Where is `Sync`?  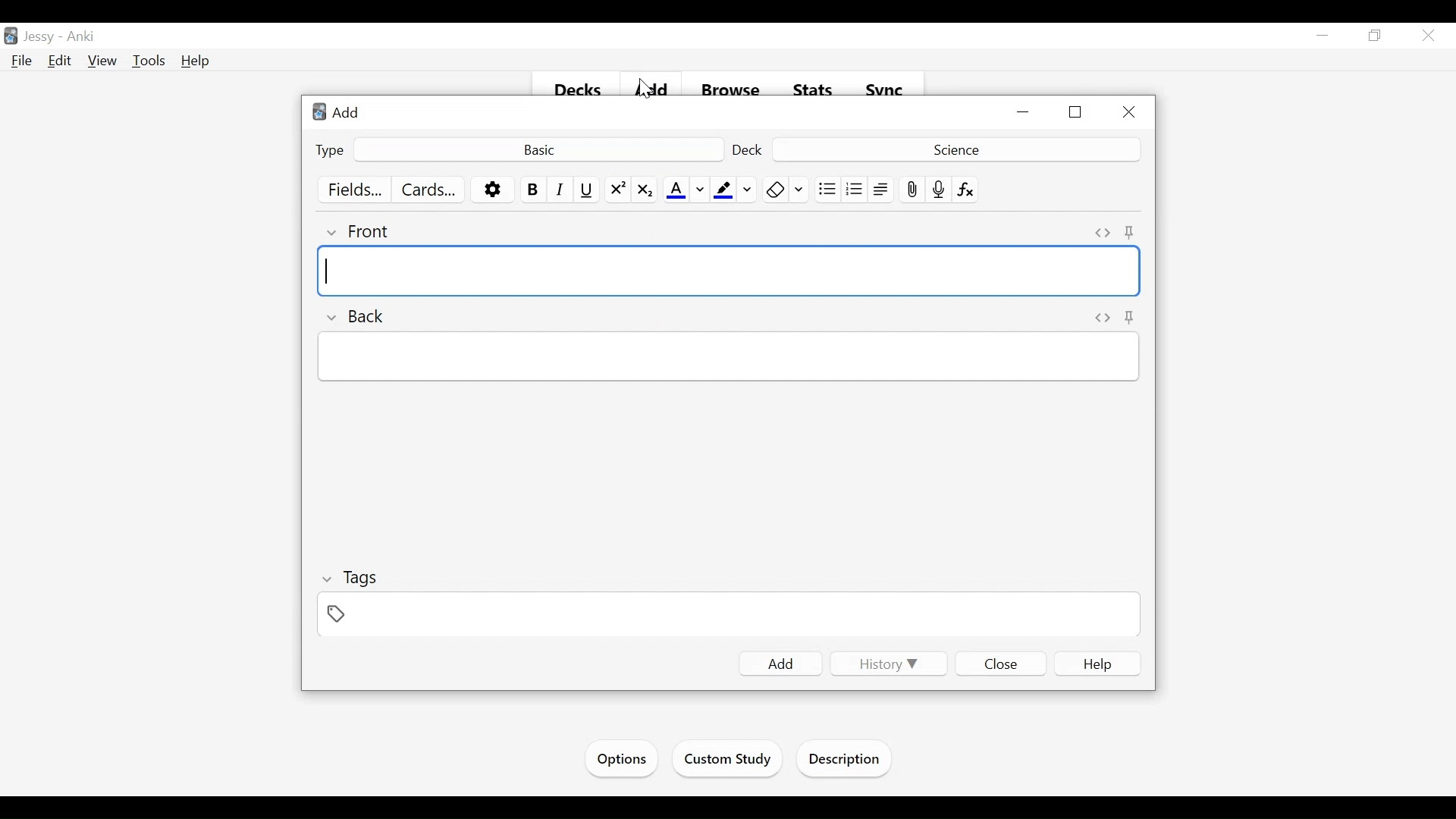
Sync is located at coordinates (885, 90).